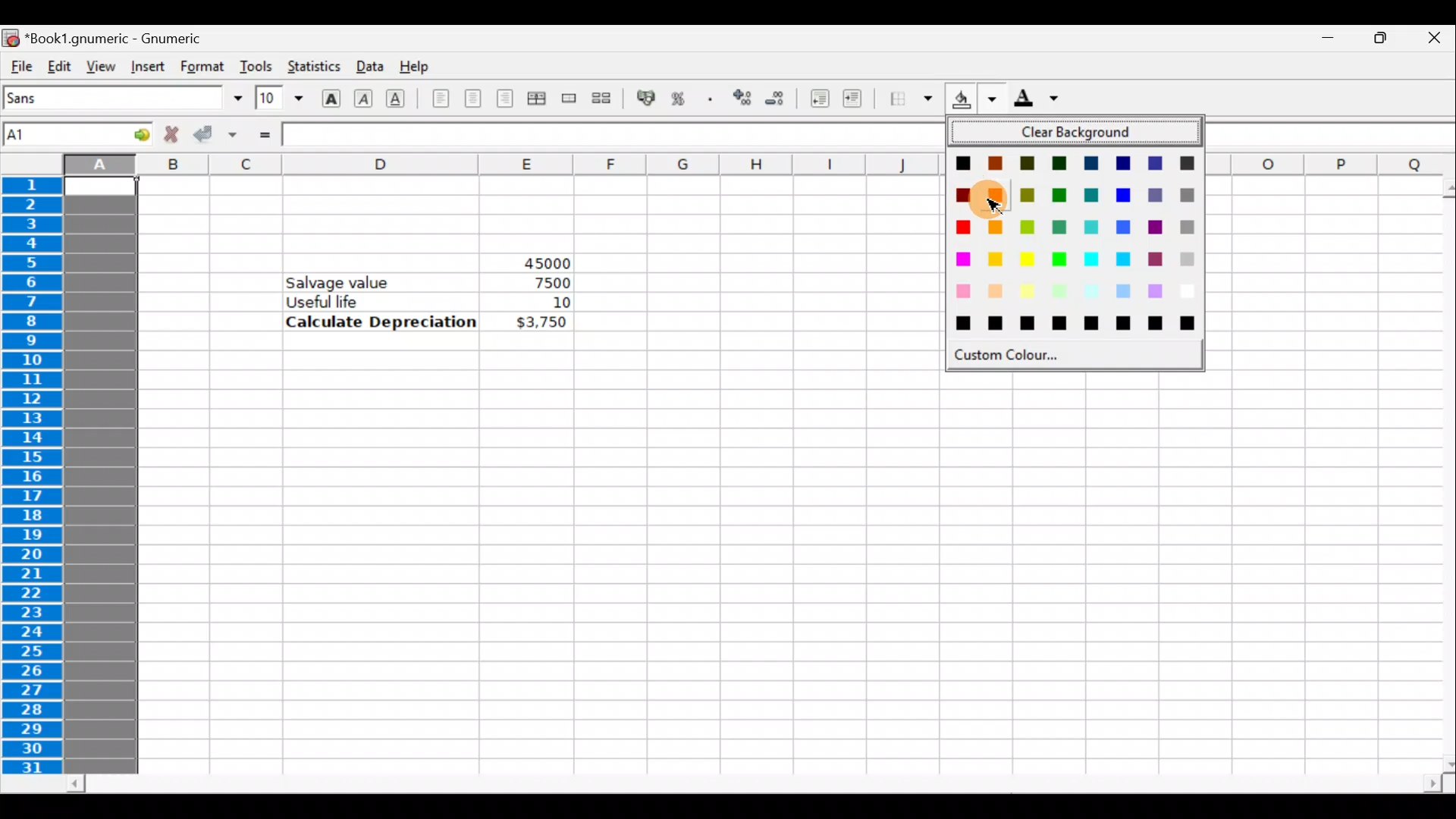 Image resolution: width=1456 pixels, height=819 pixels. I want to click on Data, so click(368, 65).